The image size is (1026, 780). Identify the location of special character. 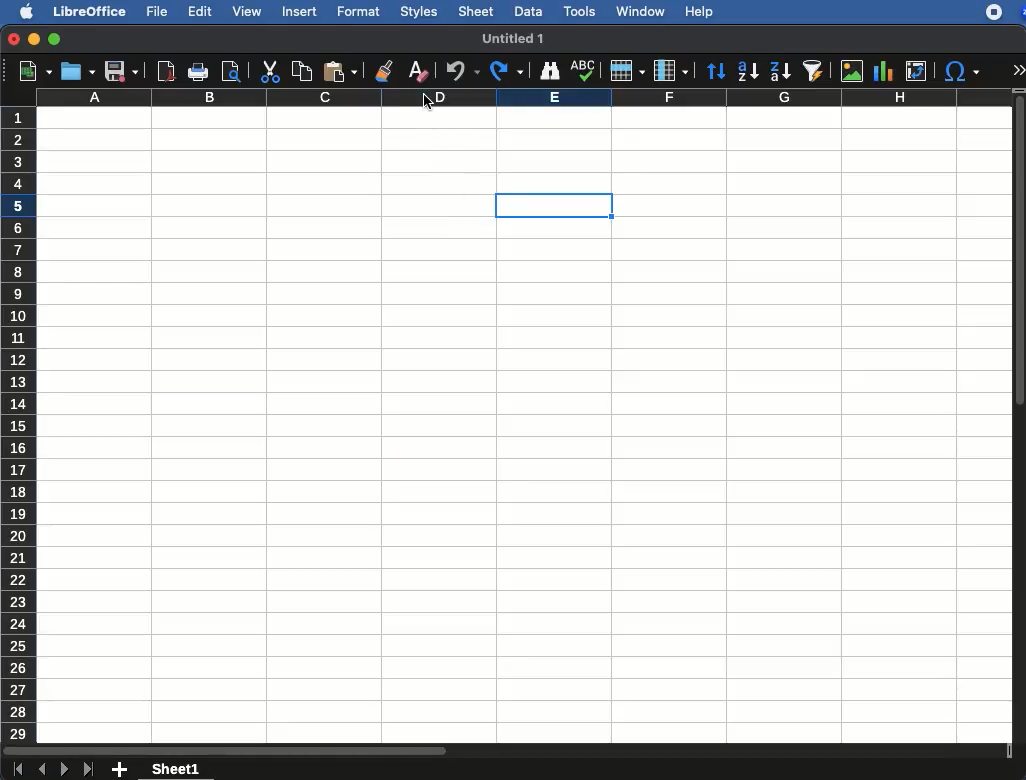
(962, 73).